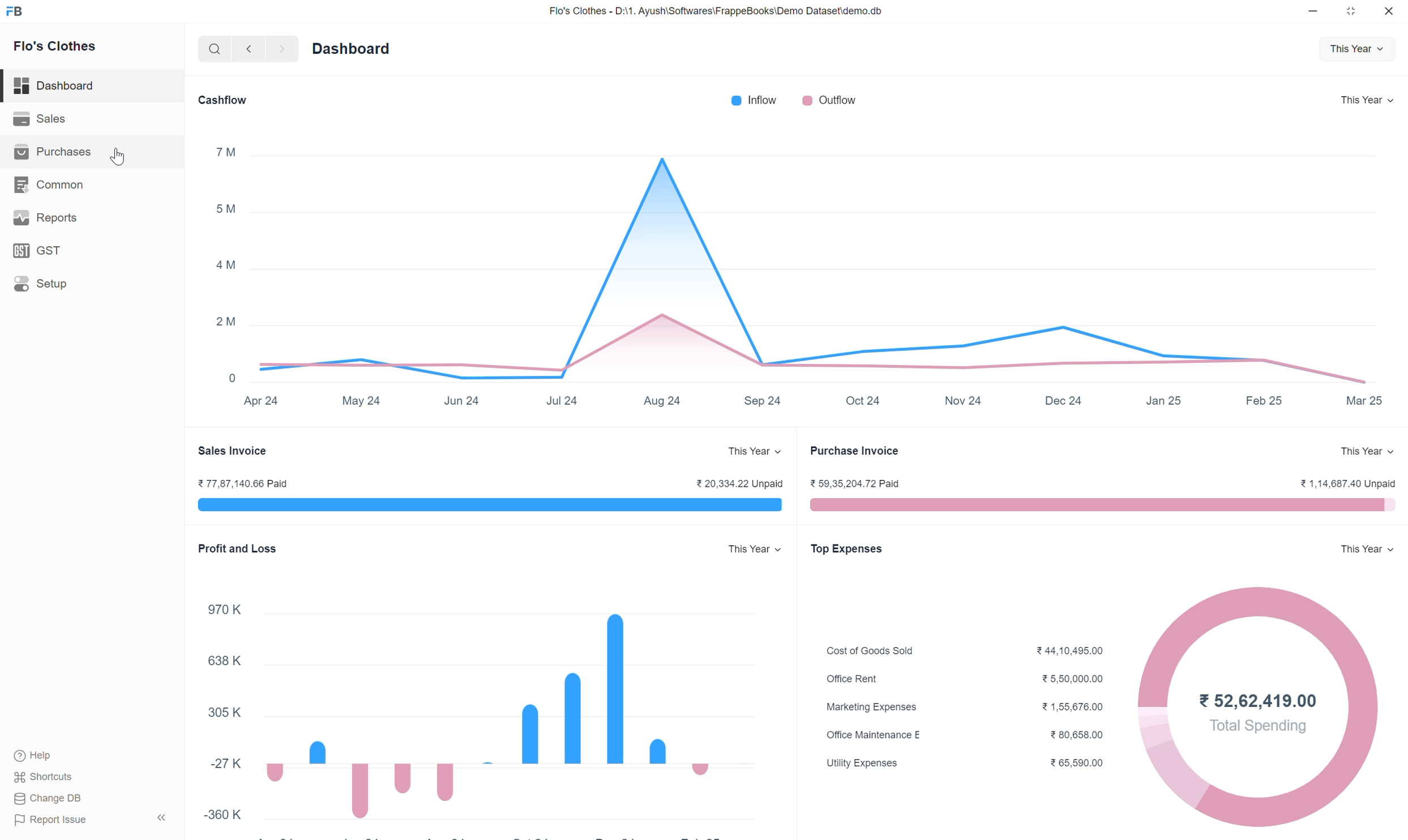 Image resolution: width=1408 pixels, height=840 pixels. What do you see at coordinates (1073, 679) in the screenshot?
I see `5,50,000.00` at bounding box center [1073, 679].